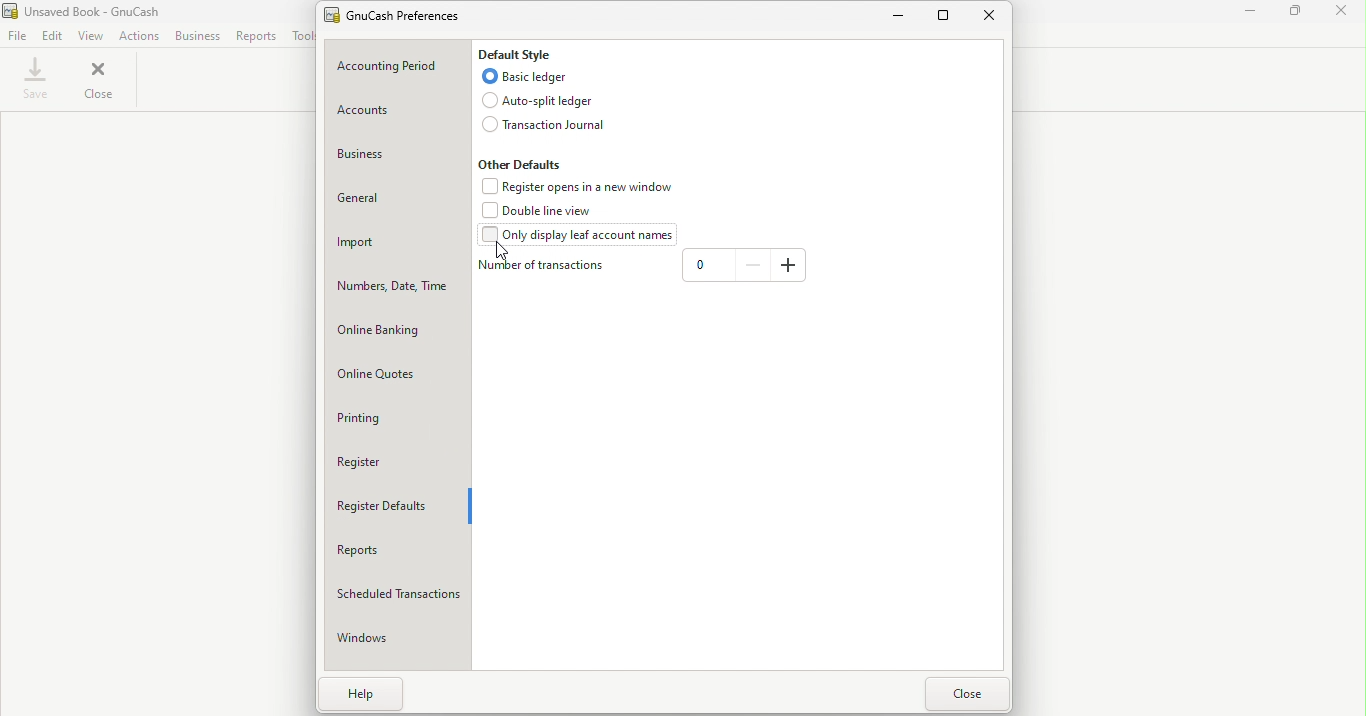  What do you see at coordinates (17, 35) in the screenshot?
I see `File` at bounding box center [17, 35].